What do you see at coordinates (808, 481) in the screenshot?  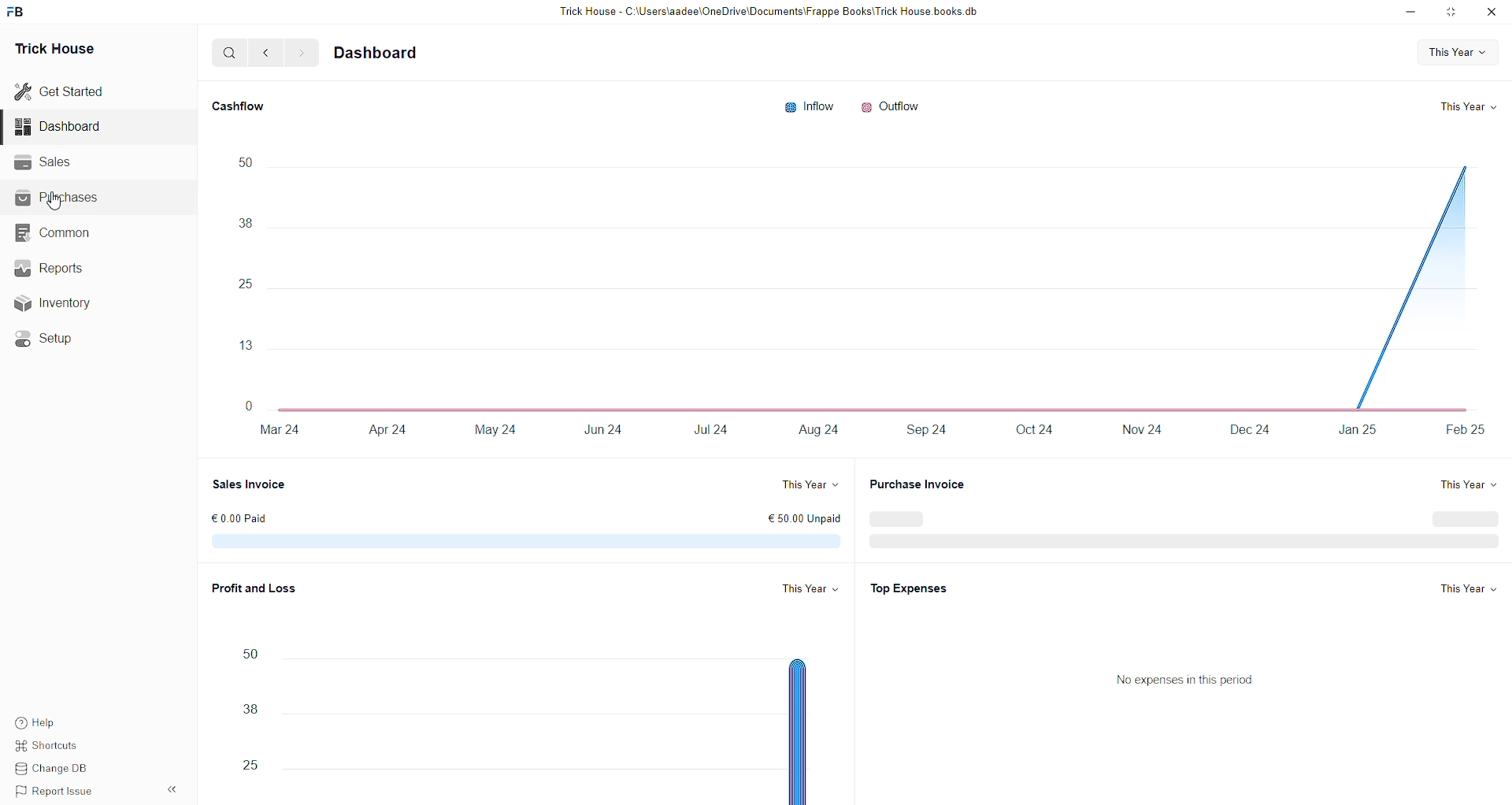 I see `This Year ` at bounding box center [808, 481].